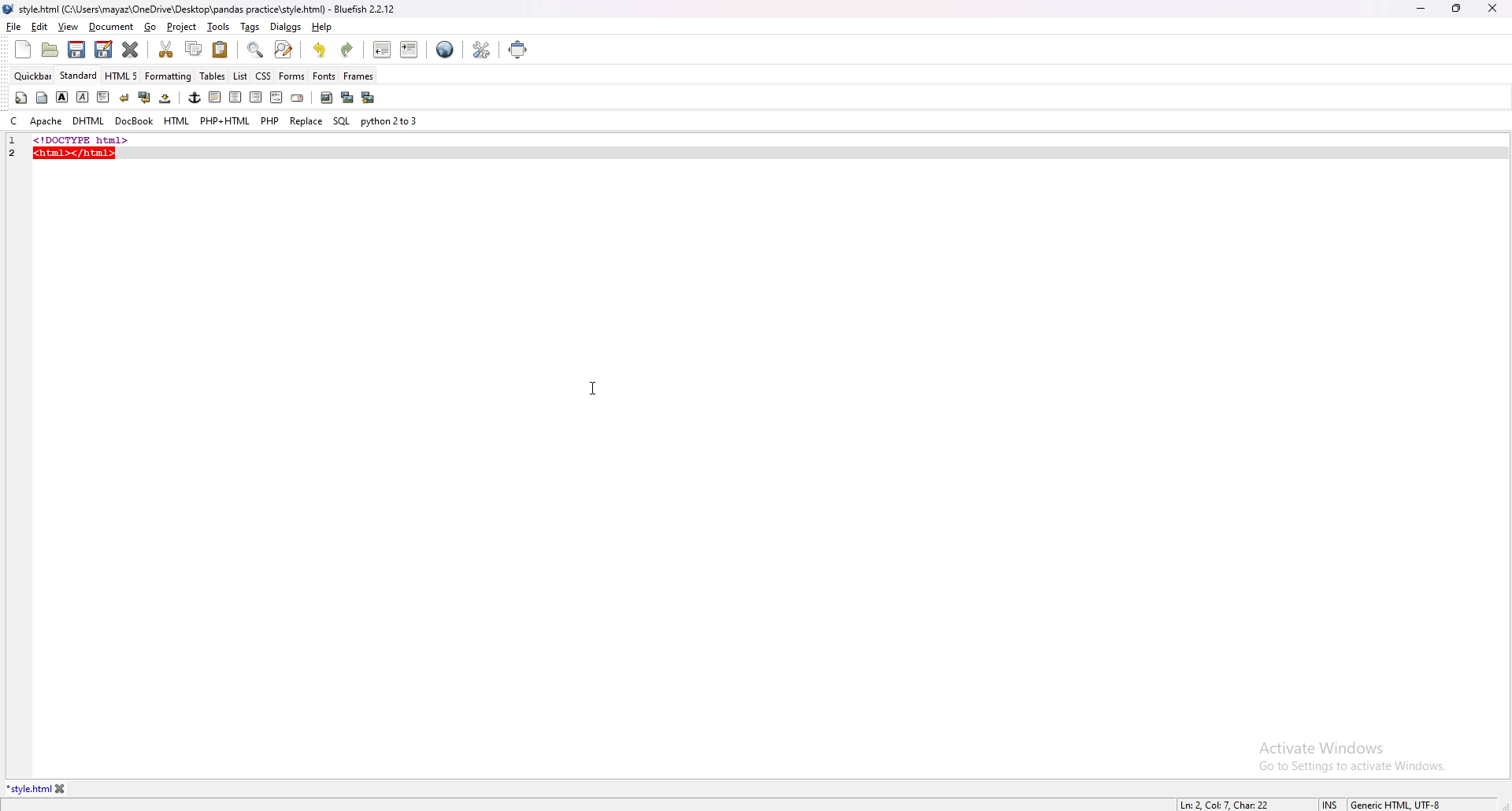  What do you see at coordinates (251, 27) in the screenshot?
I see `tags` at bounding box center [251, 27].